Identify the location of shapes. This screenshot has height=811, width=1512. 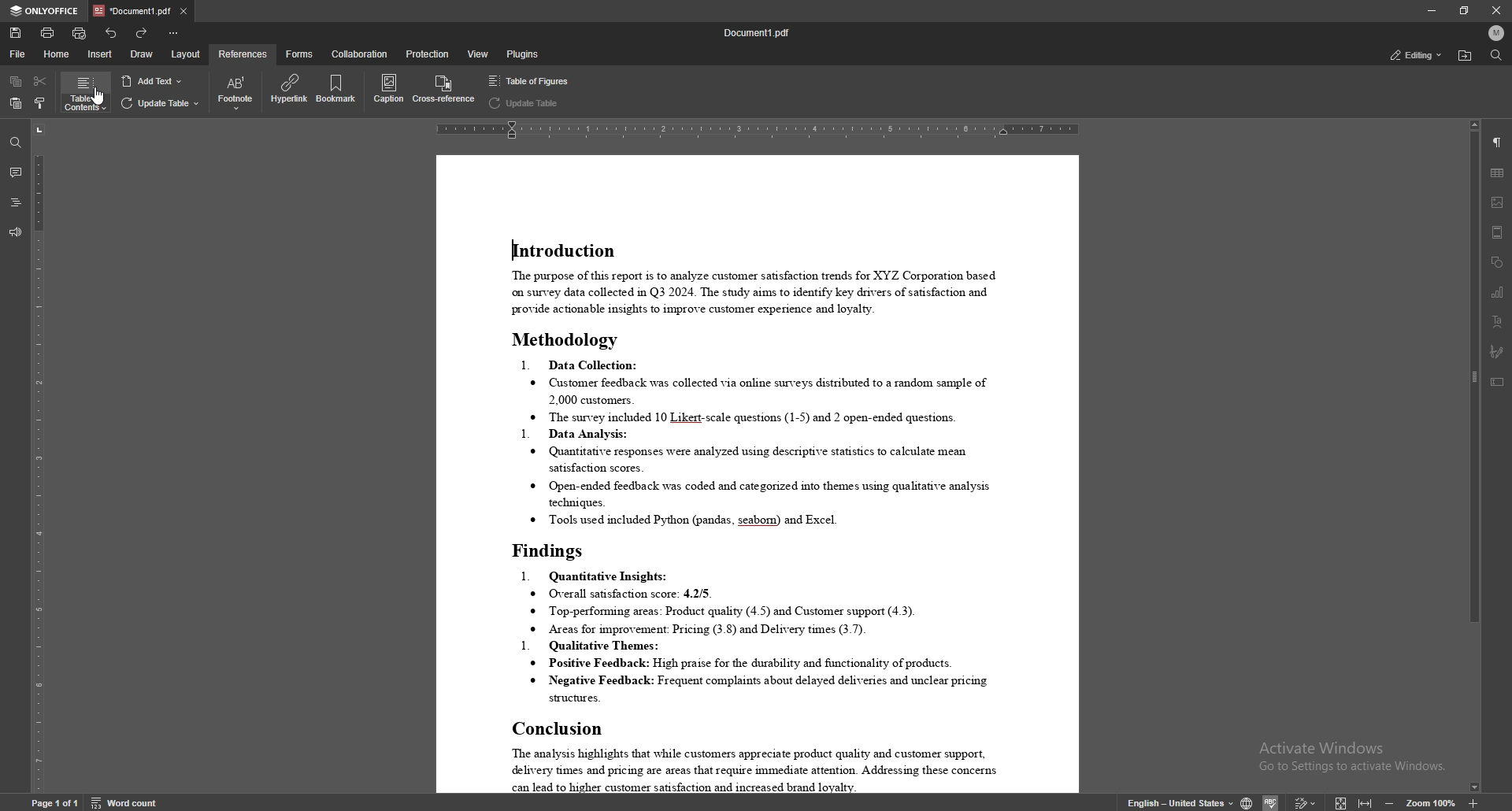
(1496, 261).